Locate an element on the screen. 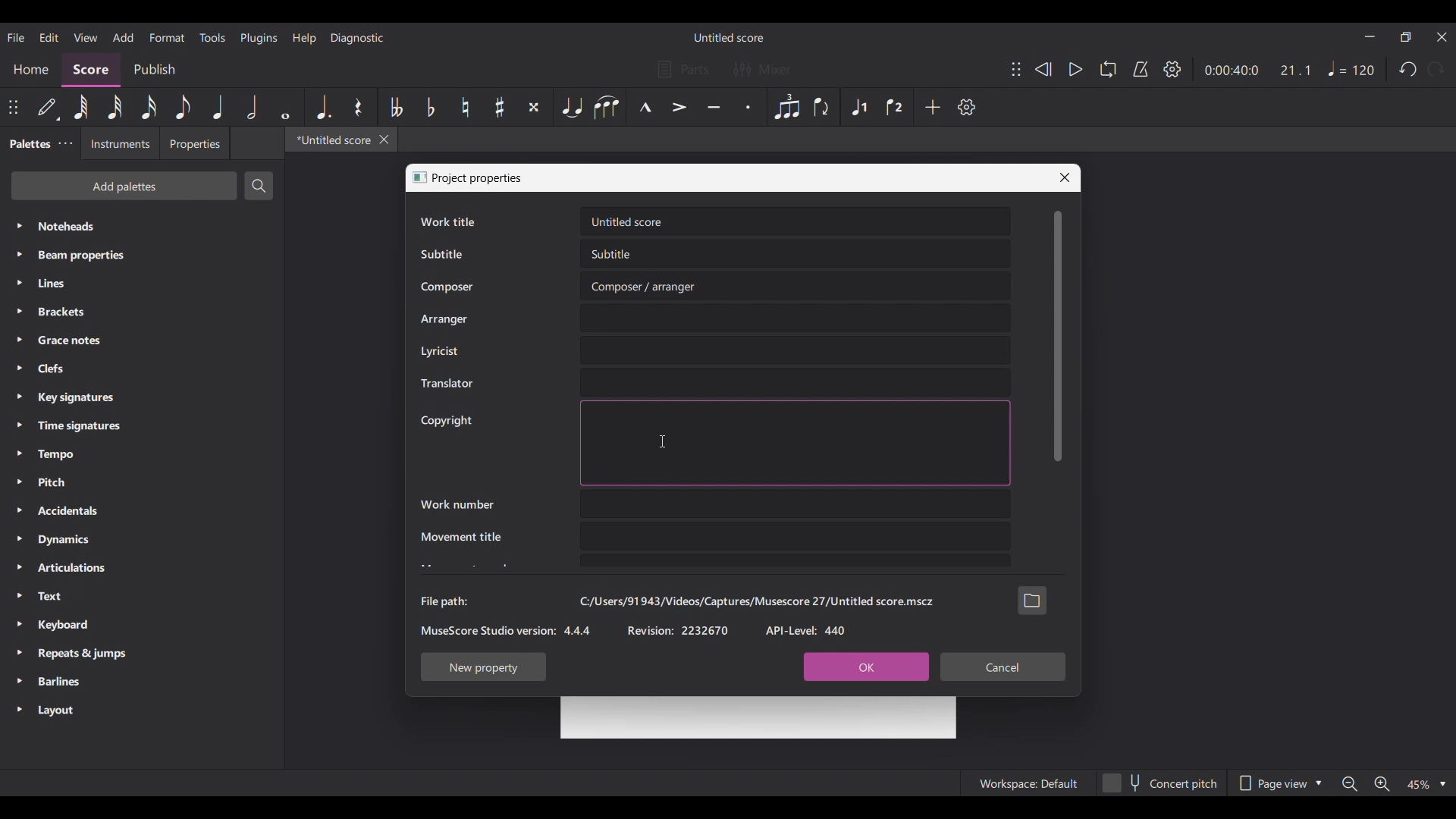  Copyright is located at coordinates (446, 421).